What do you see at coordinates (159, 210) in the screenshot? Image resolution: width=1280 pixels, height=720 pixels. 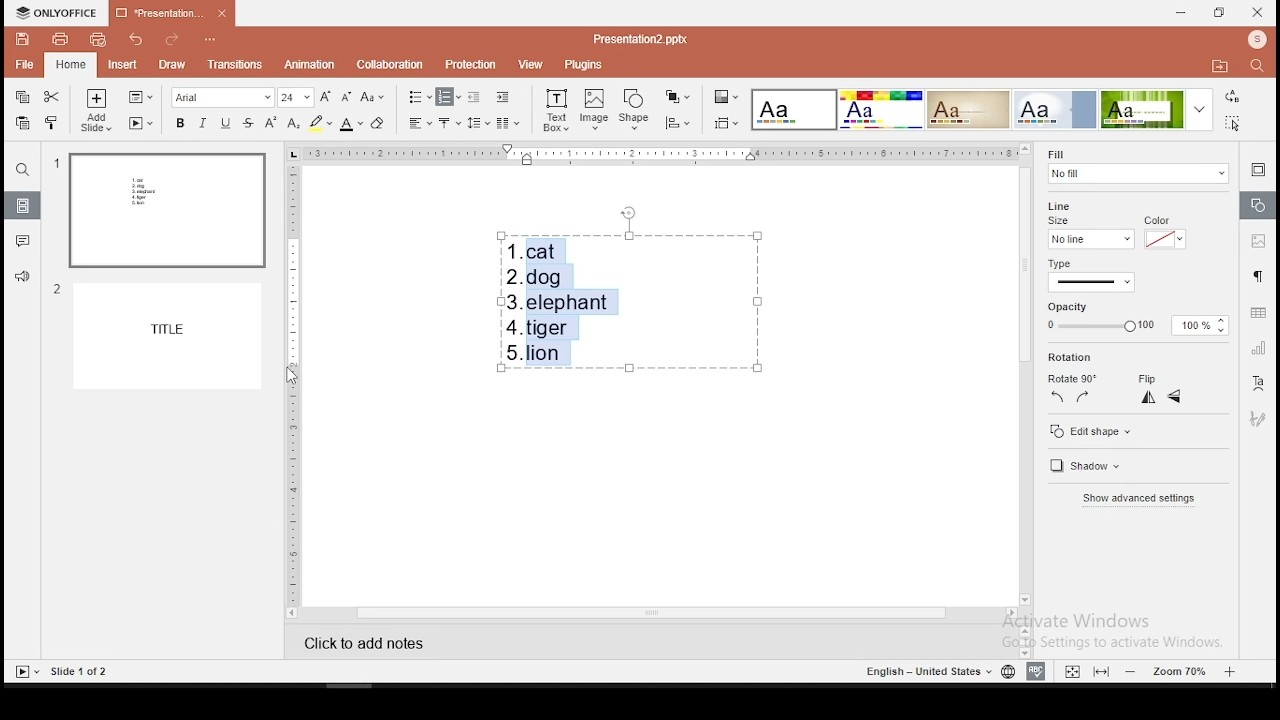 I see `slide 1` at bounding box center [159, 210].